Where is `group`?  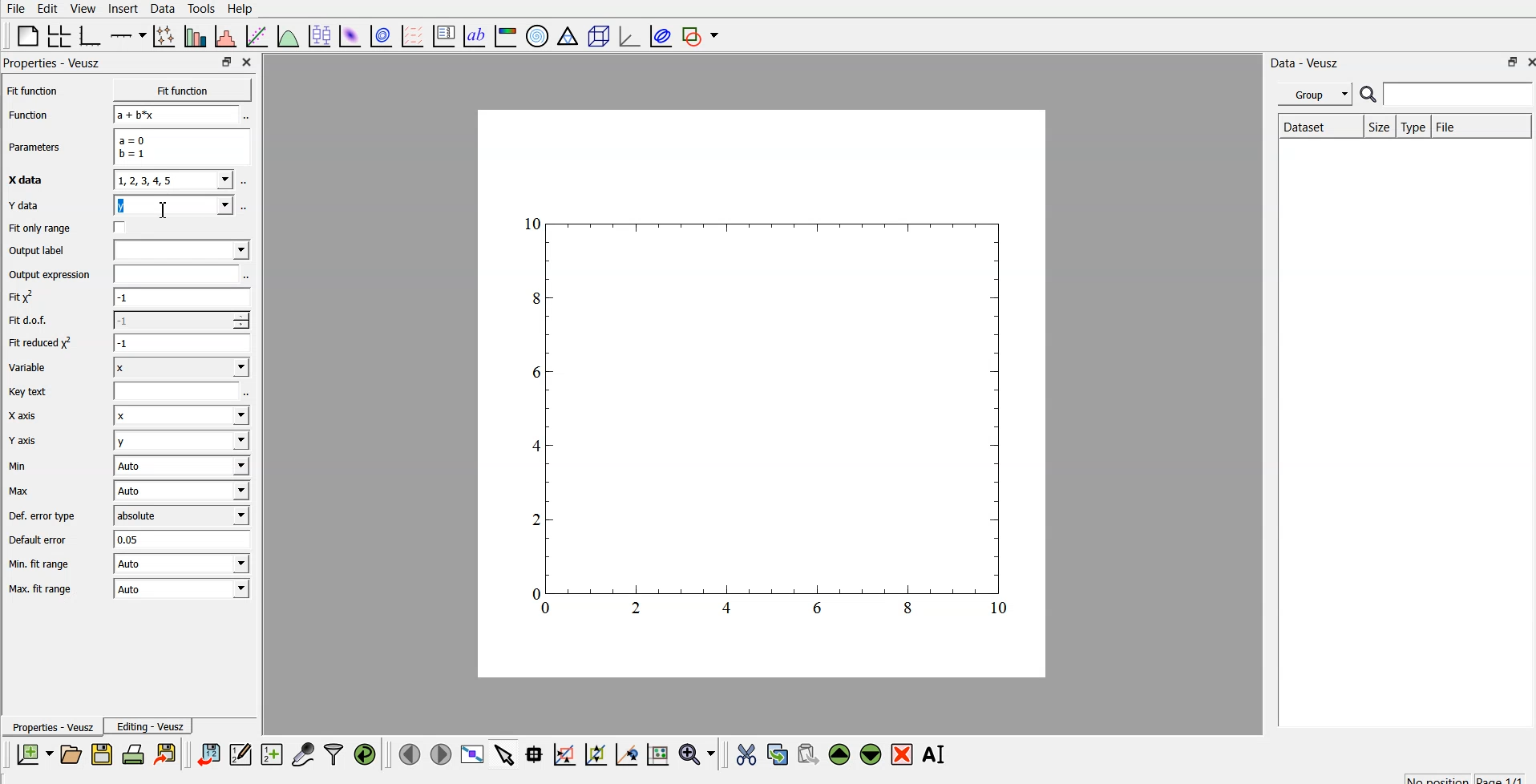 group is located at coordinates (1317, 95).